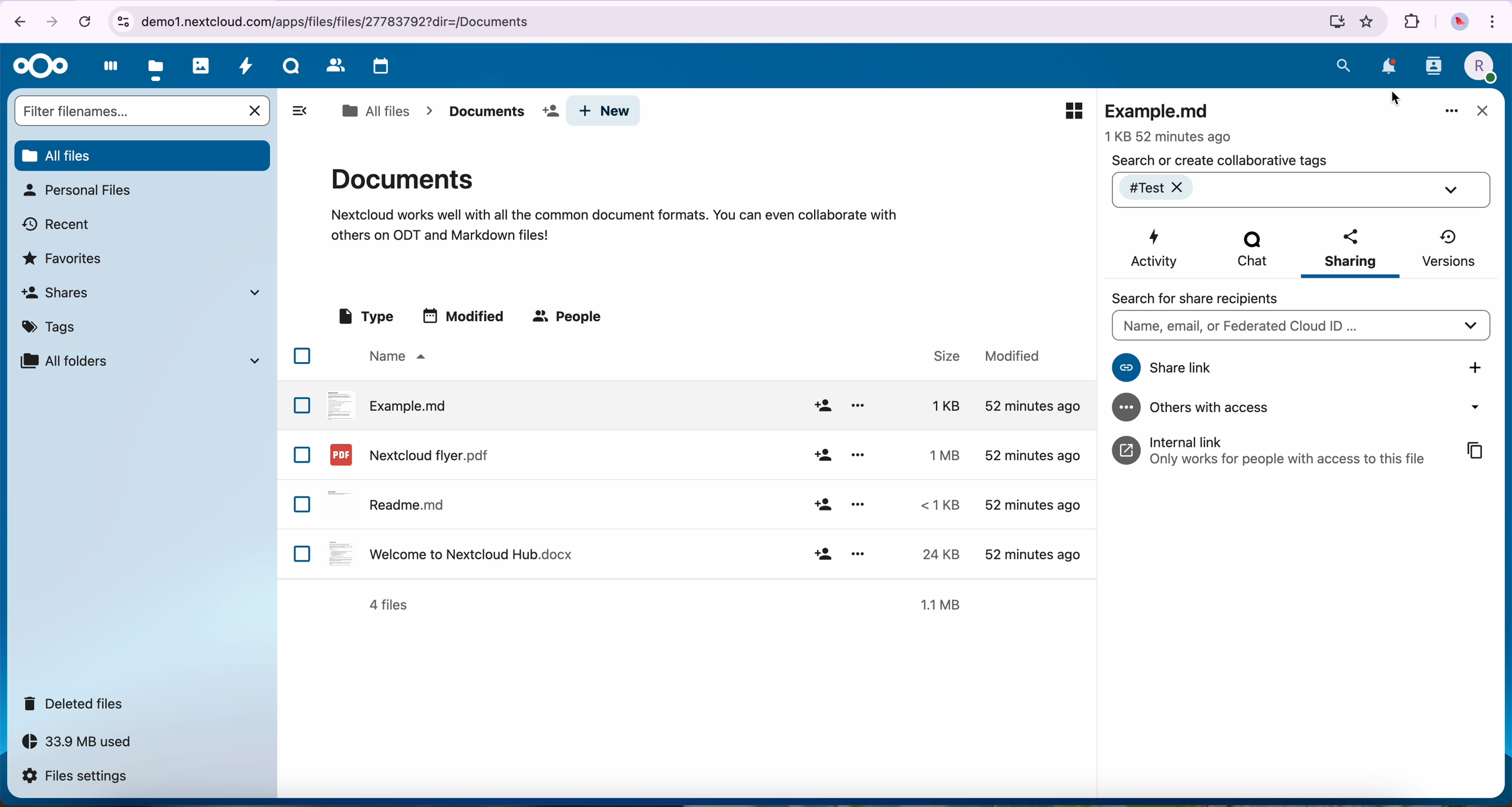 The height and width of the screenshot is (807, 1512). Describe the element at coordinates (365, 317) in the screenshot. I see `type` at that location.